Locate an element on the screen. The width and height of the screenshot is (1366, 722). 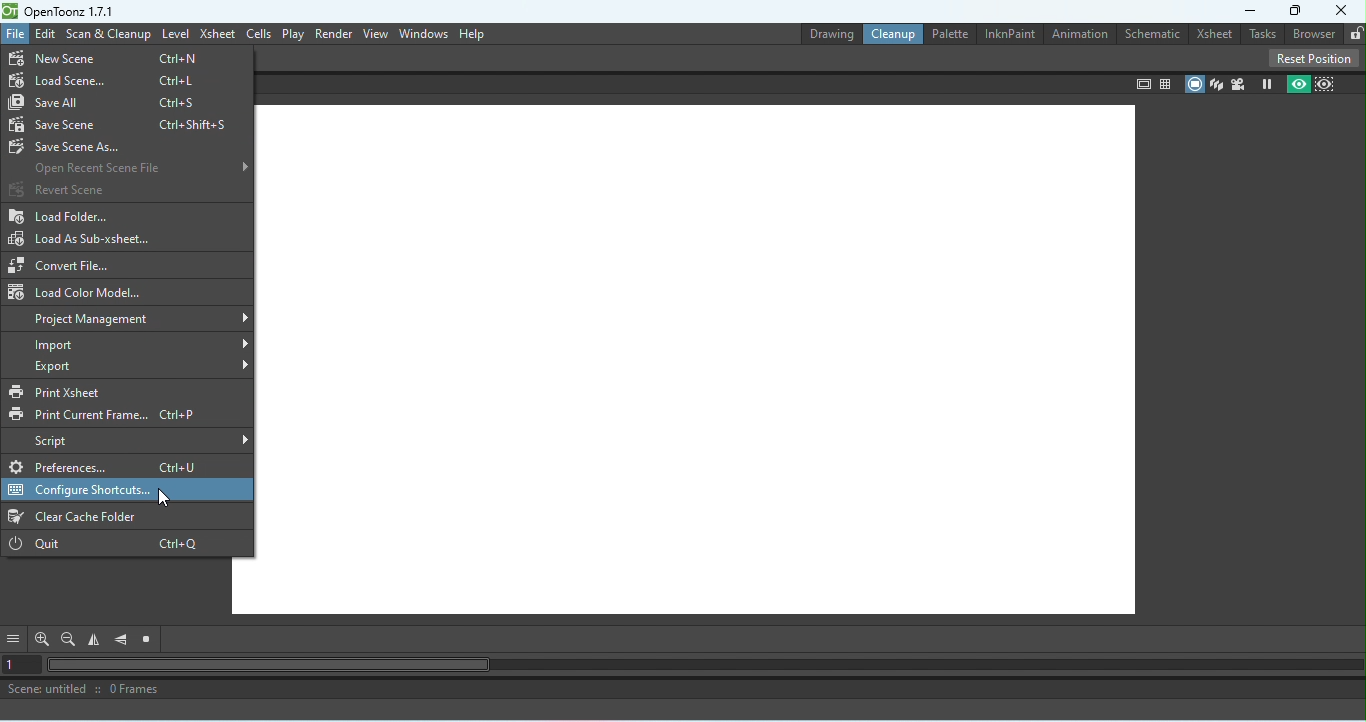
Print Current Frame is located at coordinates (107, 416).